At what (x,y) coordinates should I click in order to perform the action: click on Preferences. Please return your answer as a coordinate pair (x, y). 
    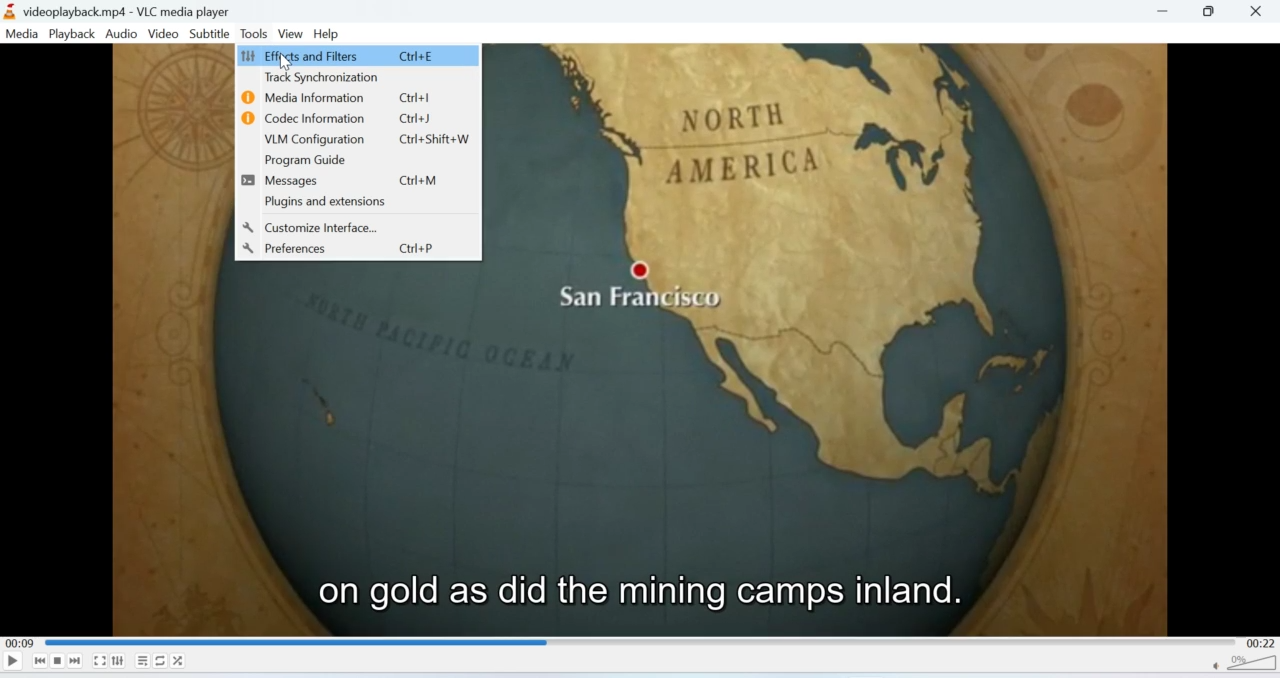
    Looking at the image, I should click on (298, 248).